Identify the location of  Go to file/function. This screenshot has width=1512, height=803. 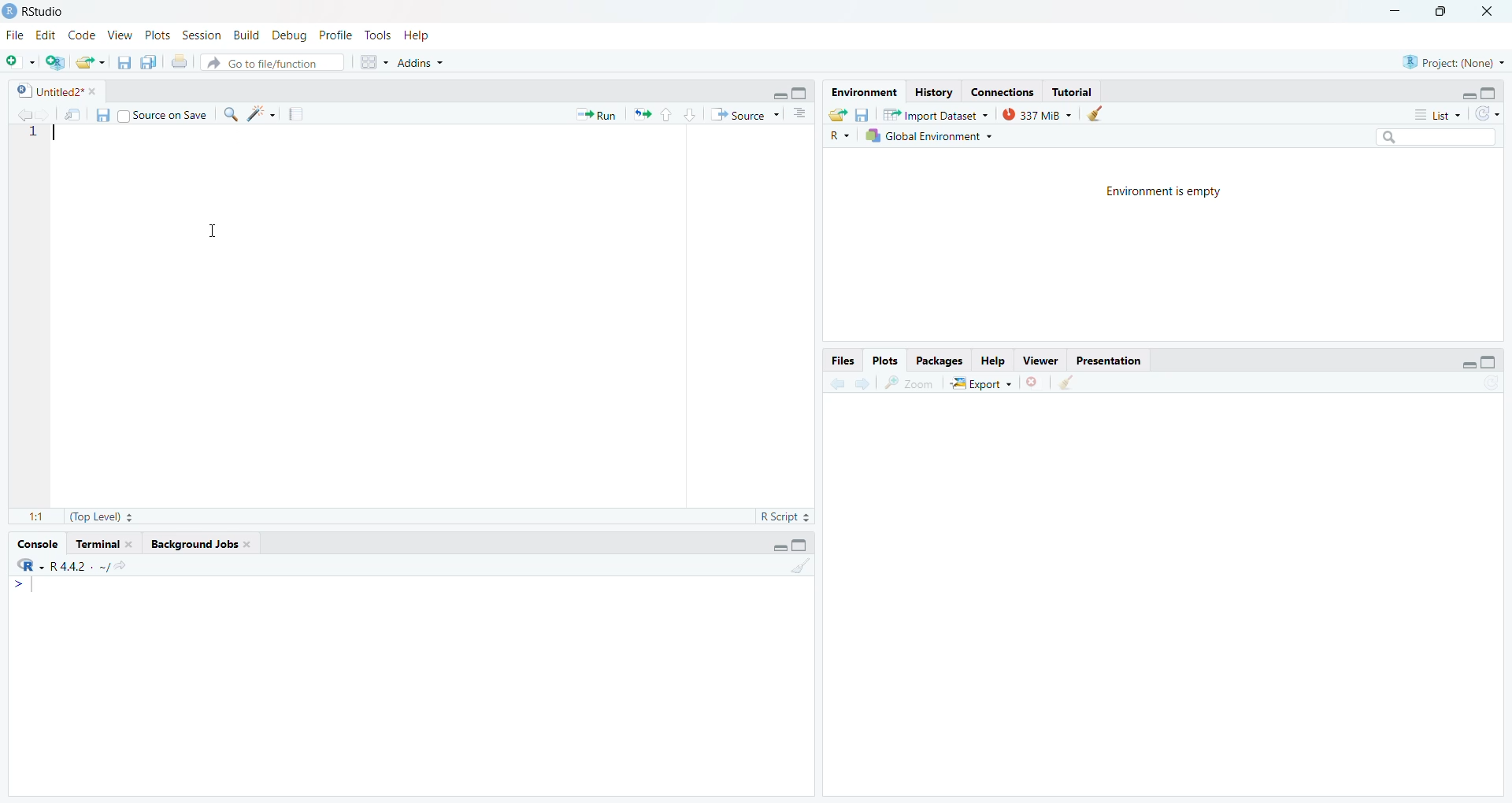
(270, 62).